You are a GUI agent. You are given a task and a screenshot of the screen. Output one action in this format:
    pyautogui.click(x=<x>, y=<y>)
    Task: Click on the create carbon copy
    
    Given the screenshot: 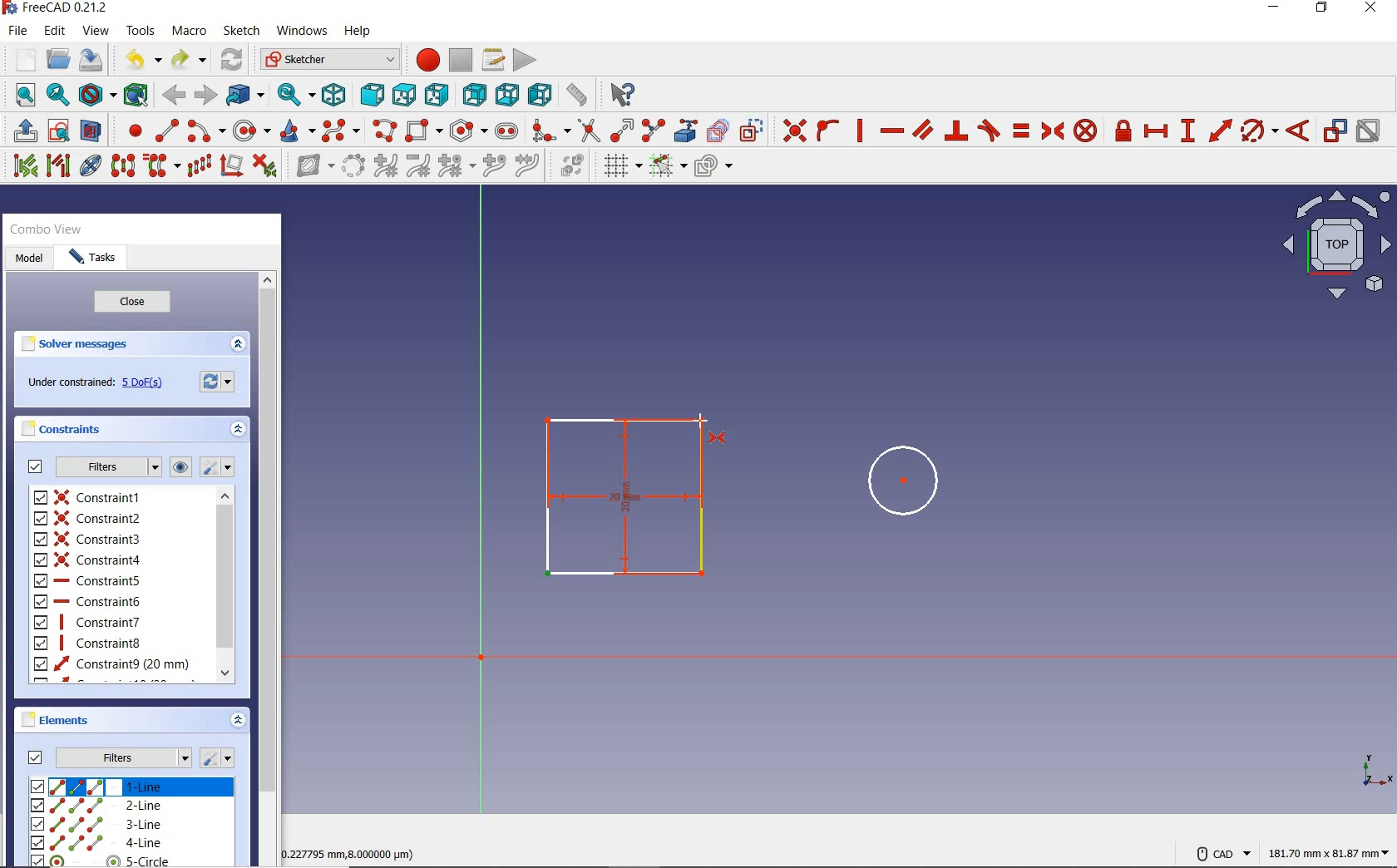 What is the action you would take?
    pyautogui.click(x=718, y=131)
    